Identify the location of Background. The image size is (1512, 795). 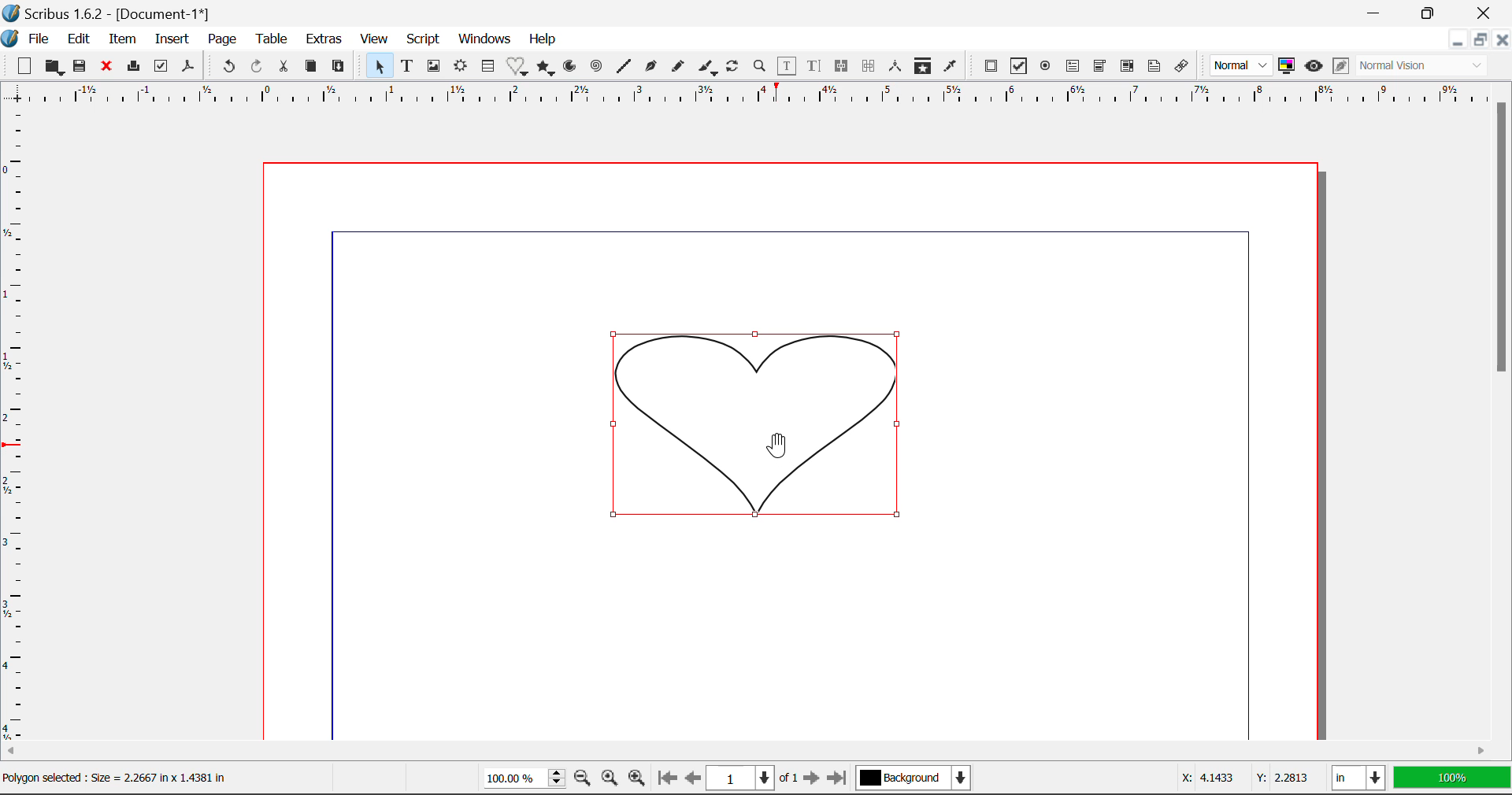
(916, 779).